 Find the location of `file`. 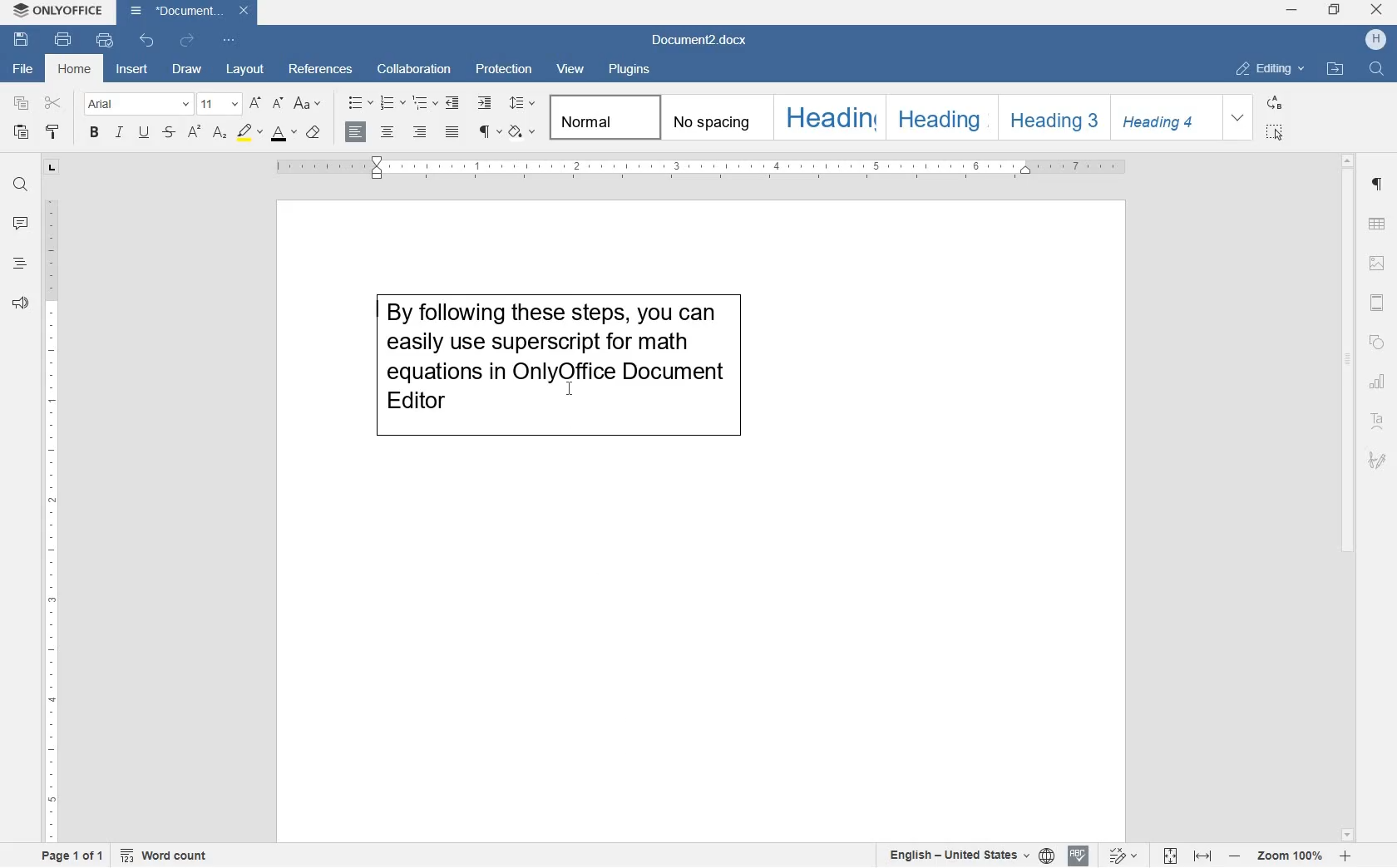

file is located at coordinates (21, 70).